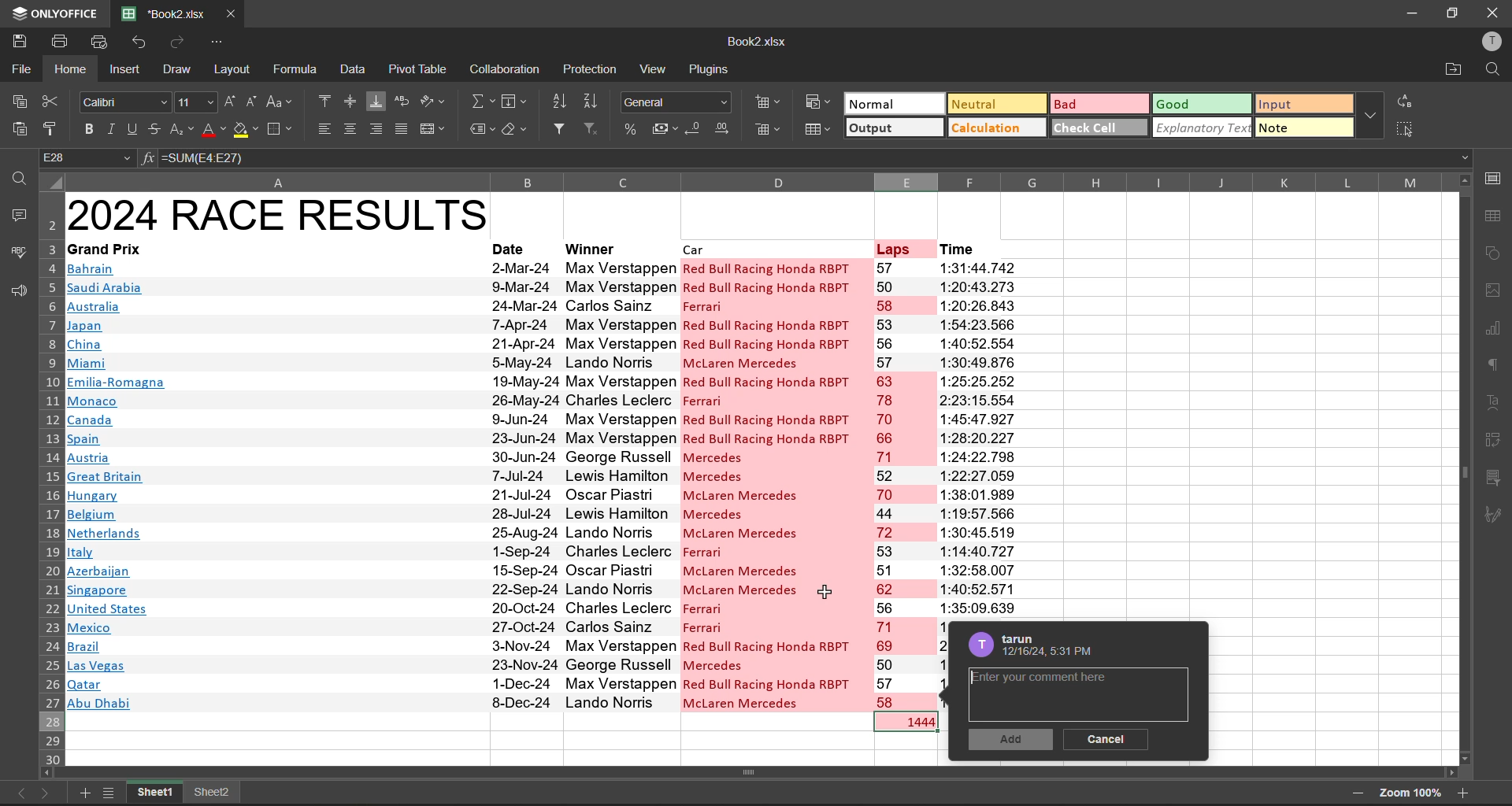  What do you see at coordinates (181, 72) in the screenshot?
I see `draw` at bounding box center [181, 72].